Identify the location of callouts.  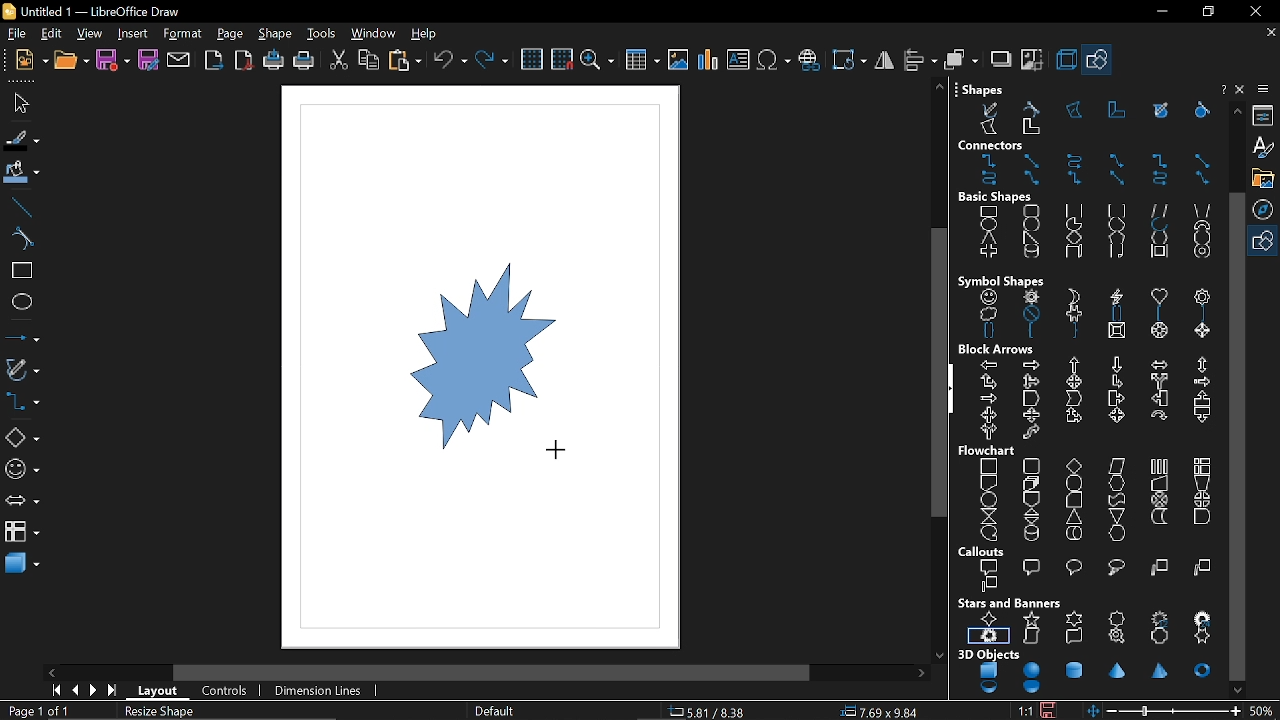
(1090, 569).